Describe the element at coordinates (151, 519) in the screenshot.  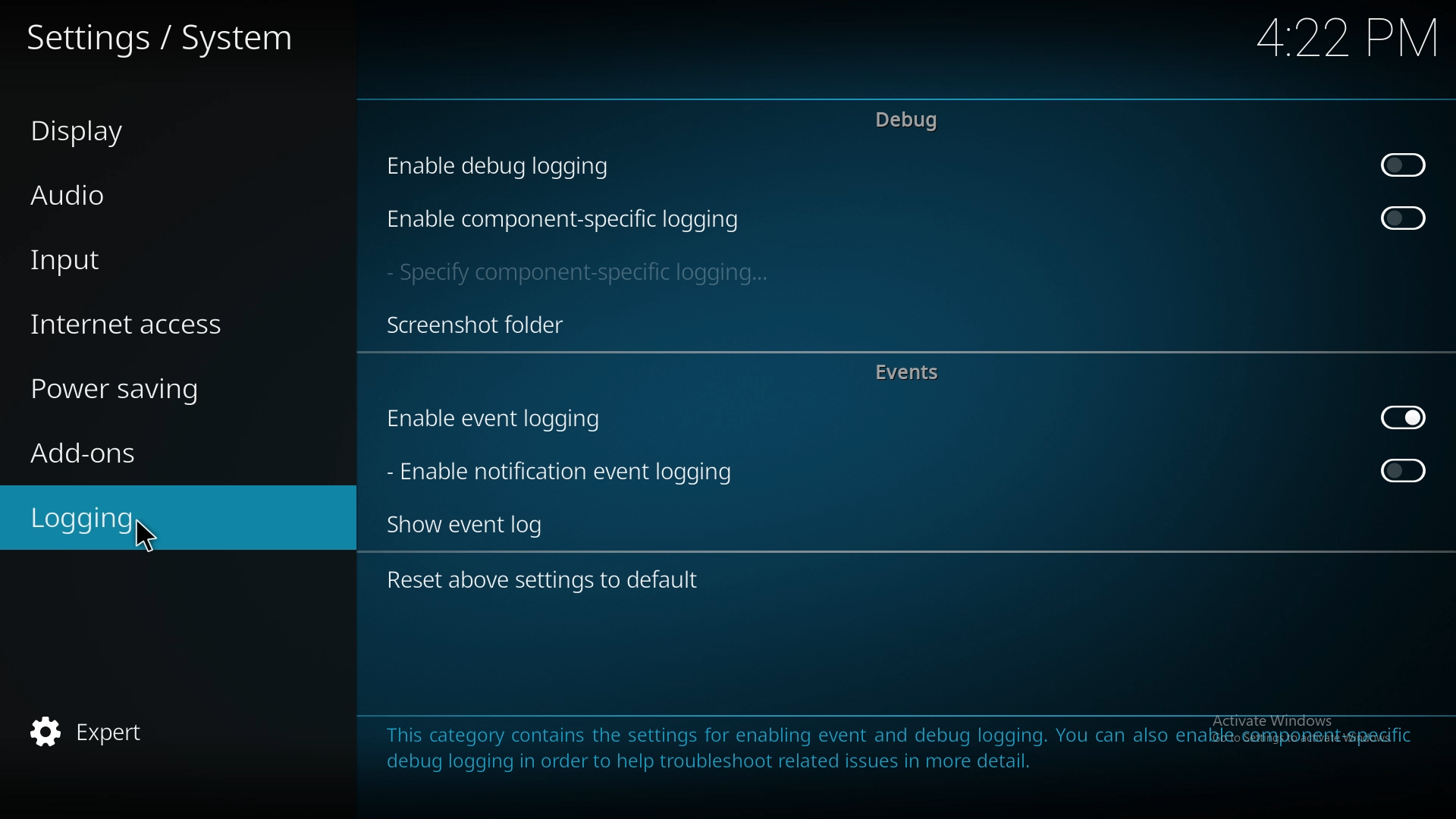
I see `logging` at that location.